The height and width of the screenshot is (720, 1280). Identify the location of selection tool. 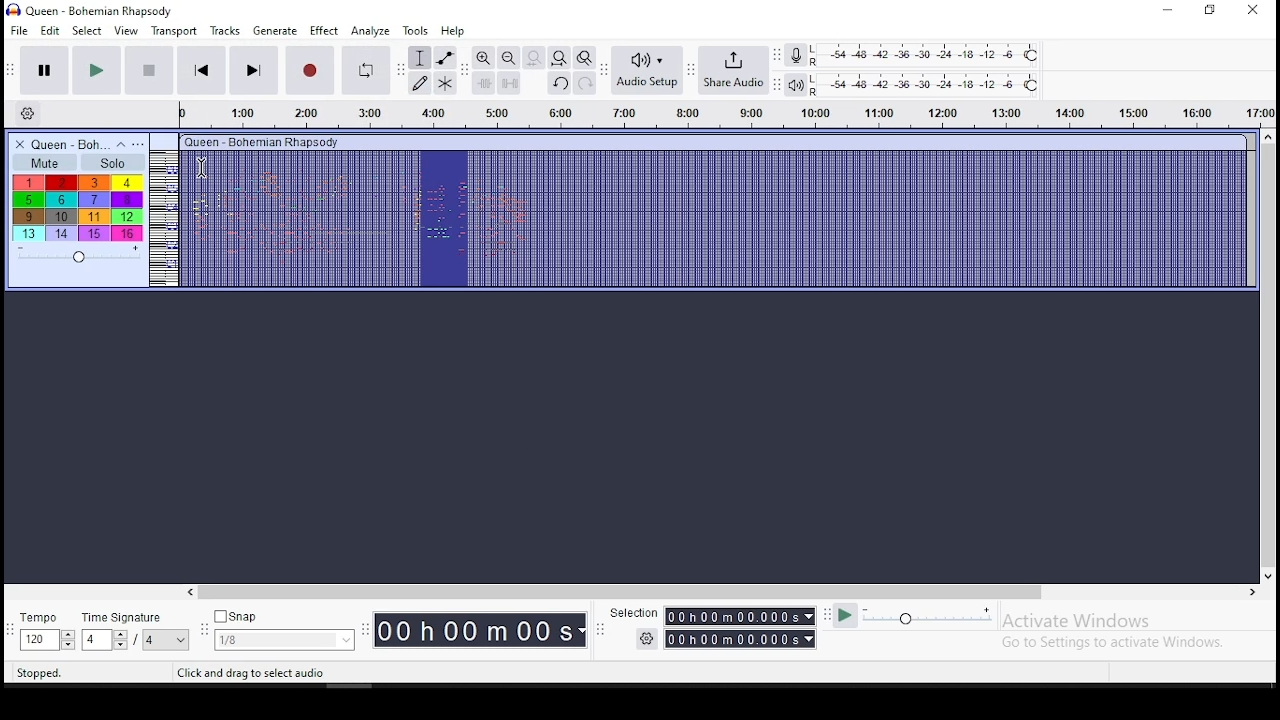
(419, 59).